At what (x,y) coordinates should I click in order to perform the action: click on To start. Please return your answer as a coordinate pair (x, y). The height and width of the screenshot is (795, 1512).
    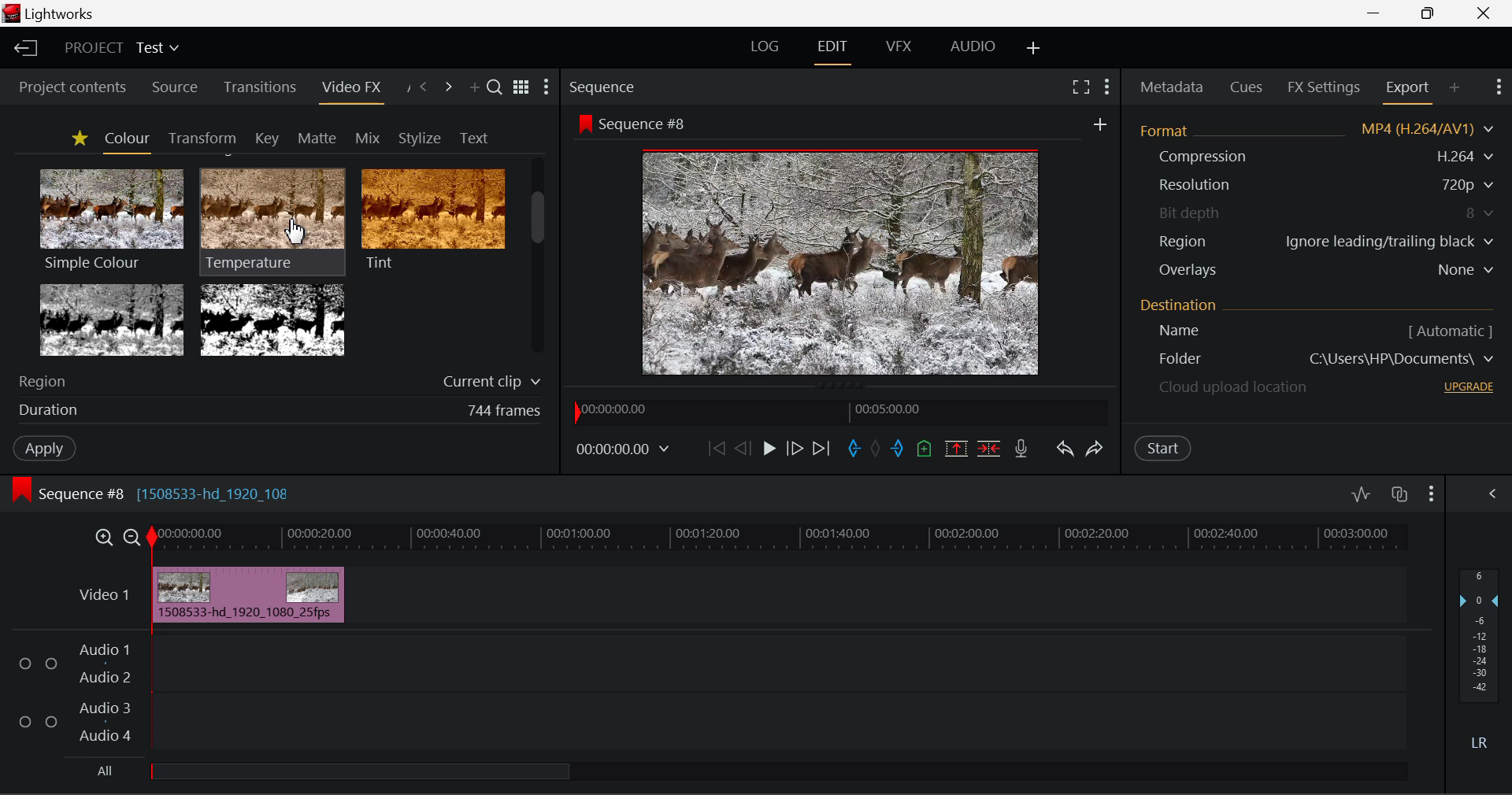
    Looking at the image, I should click on (714, 452).